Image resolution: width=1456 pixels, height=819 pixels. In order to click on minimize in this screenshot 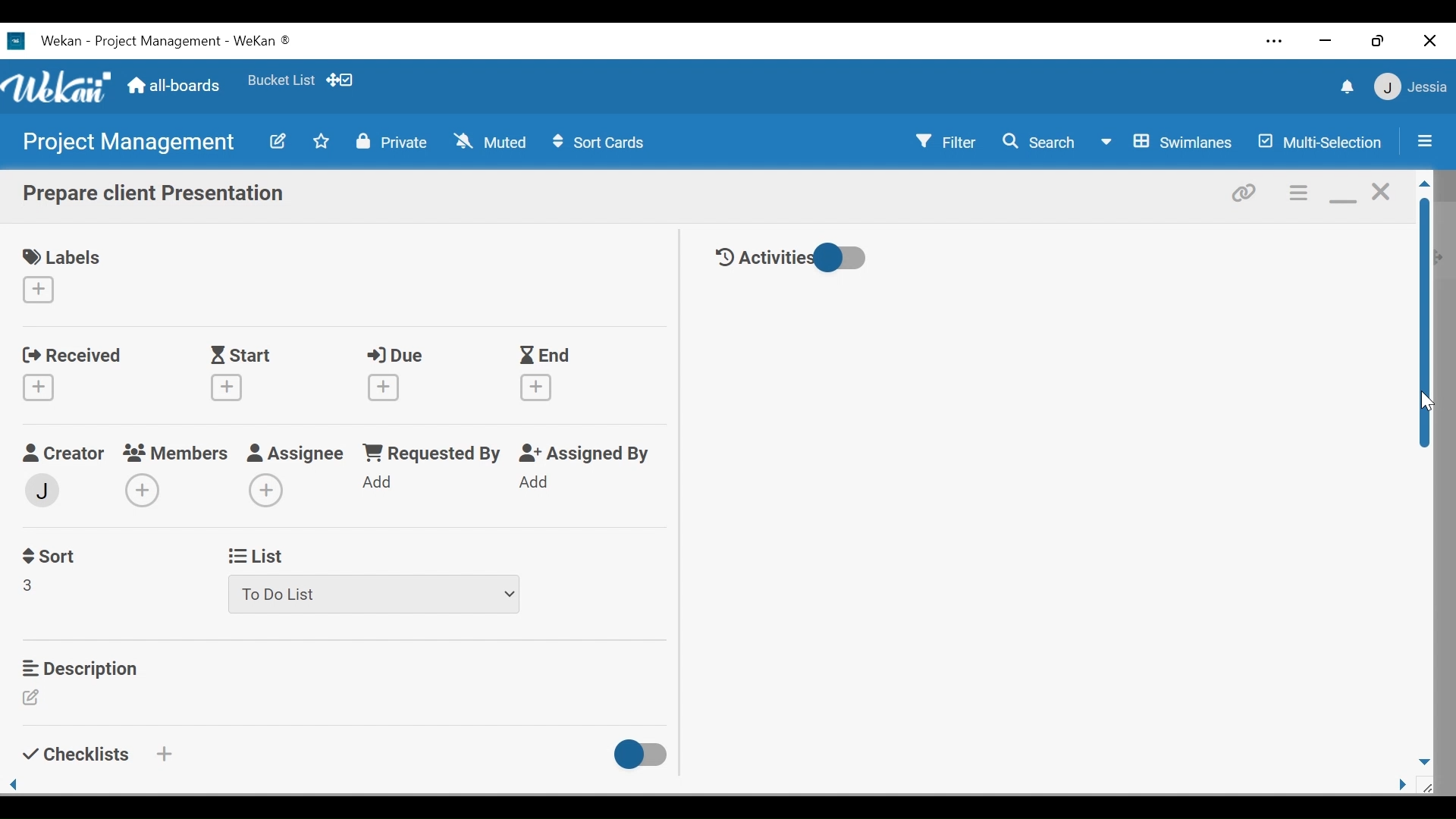, I will do `click(1326, 40)`.